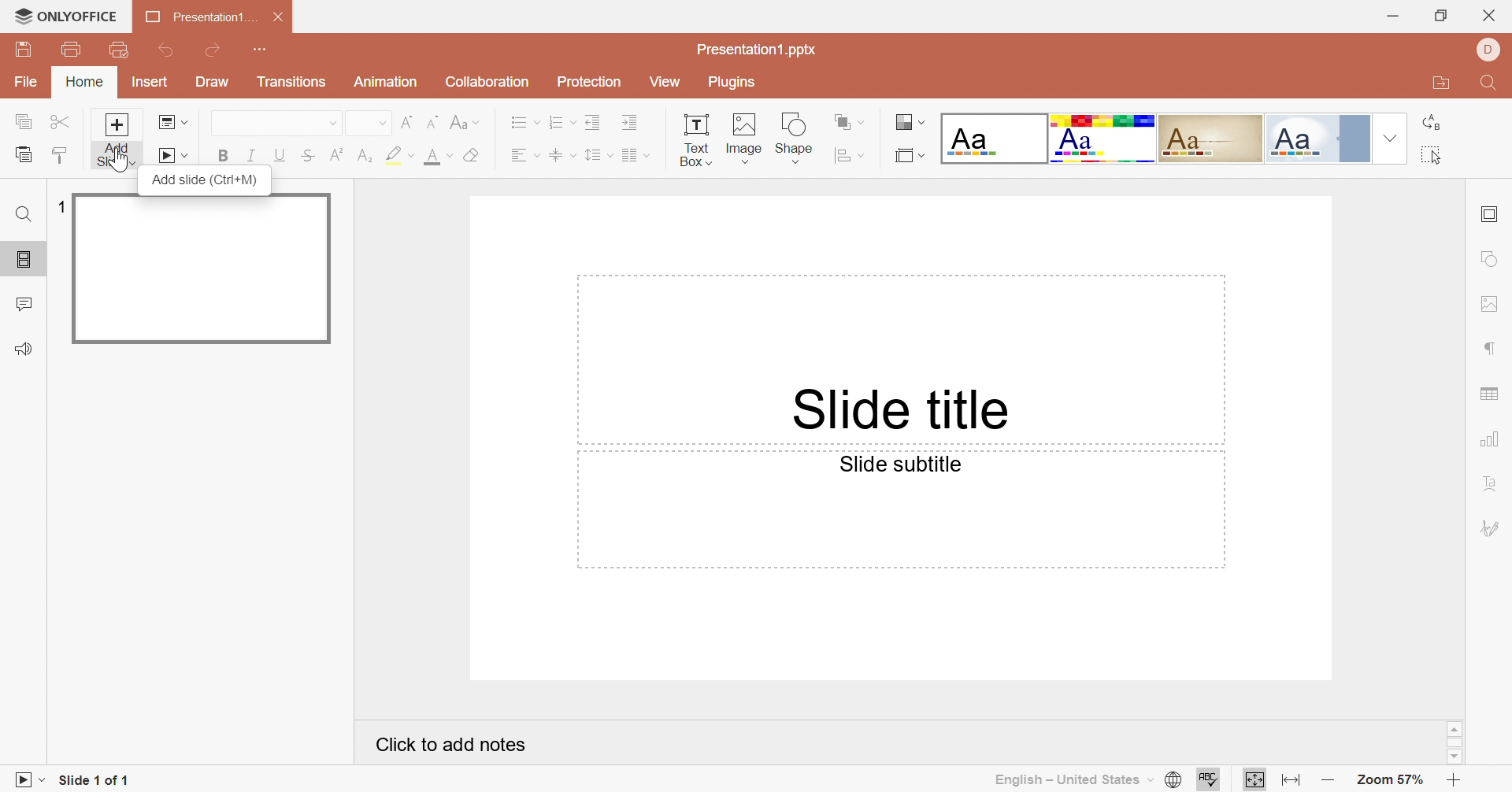 This screenshot has width=1512, height=792. What do you see at coordinates (1488, 396) in the screenshot?
I see `Table settings` at bounding box center [1488, 396].